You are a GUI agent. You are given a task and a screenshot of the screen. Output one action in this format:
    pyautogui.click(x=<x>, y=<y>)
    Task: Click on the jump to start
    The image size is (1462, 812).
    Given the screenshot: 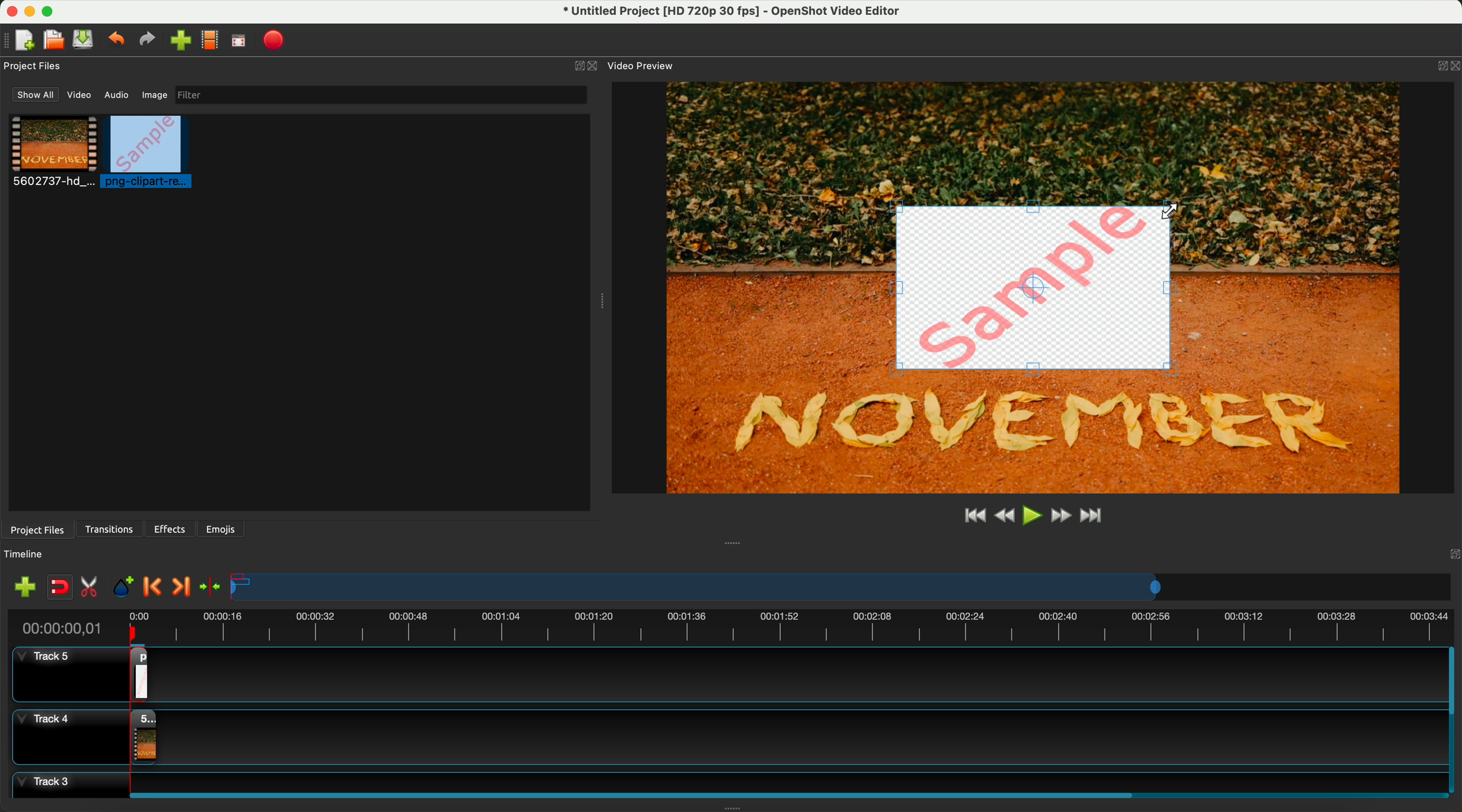 What is the action you would take?
    pyautogui.click(x=975, y=516)
    